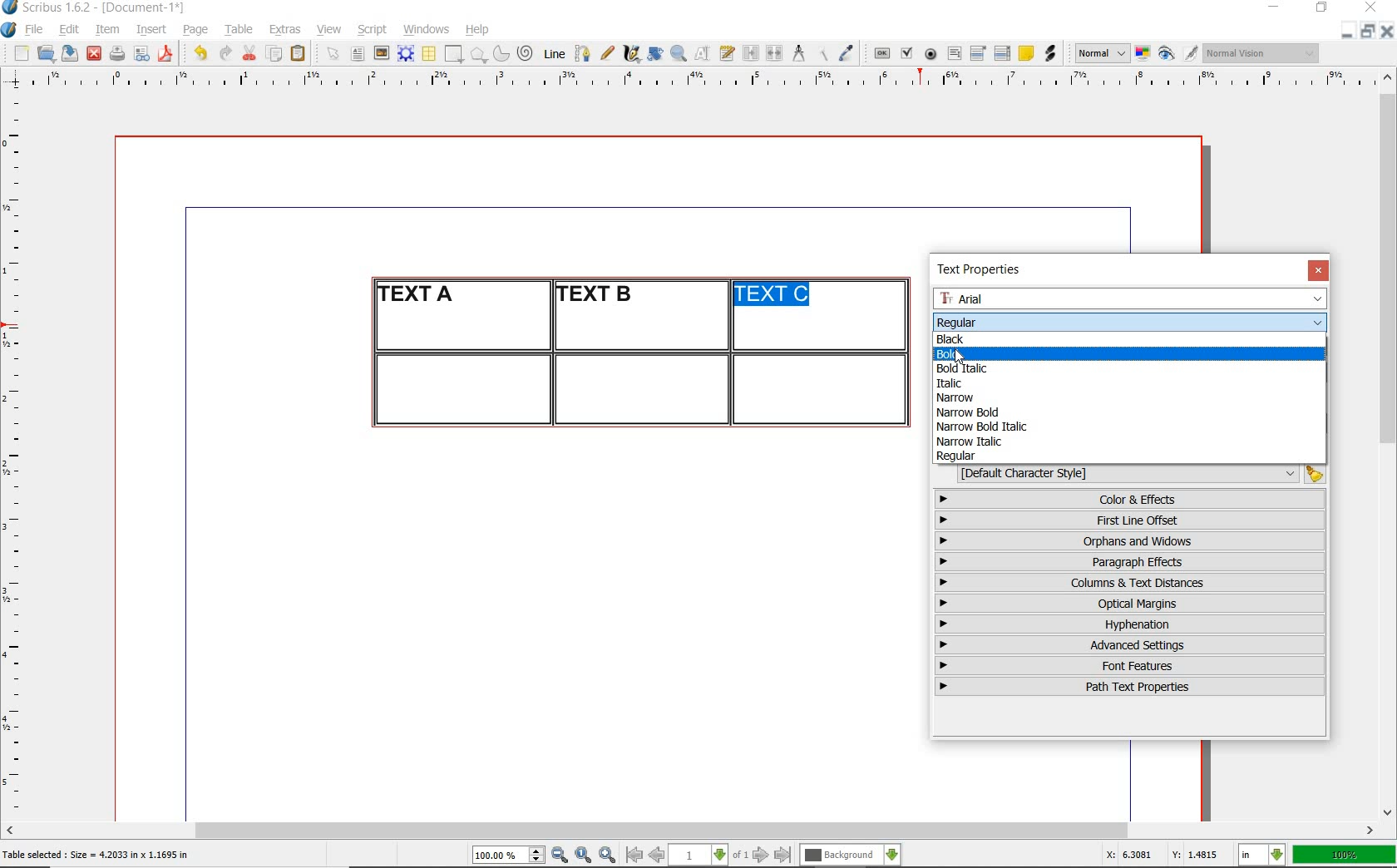  What do you see at coordinates (851, 856) in the screenshot?
I see `select the current layer` at bounding box center [851, 856].